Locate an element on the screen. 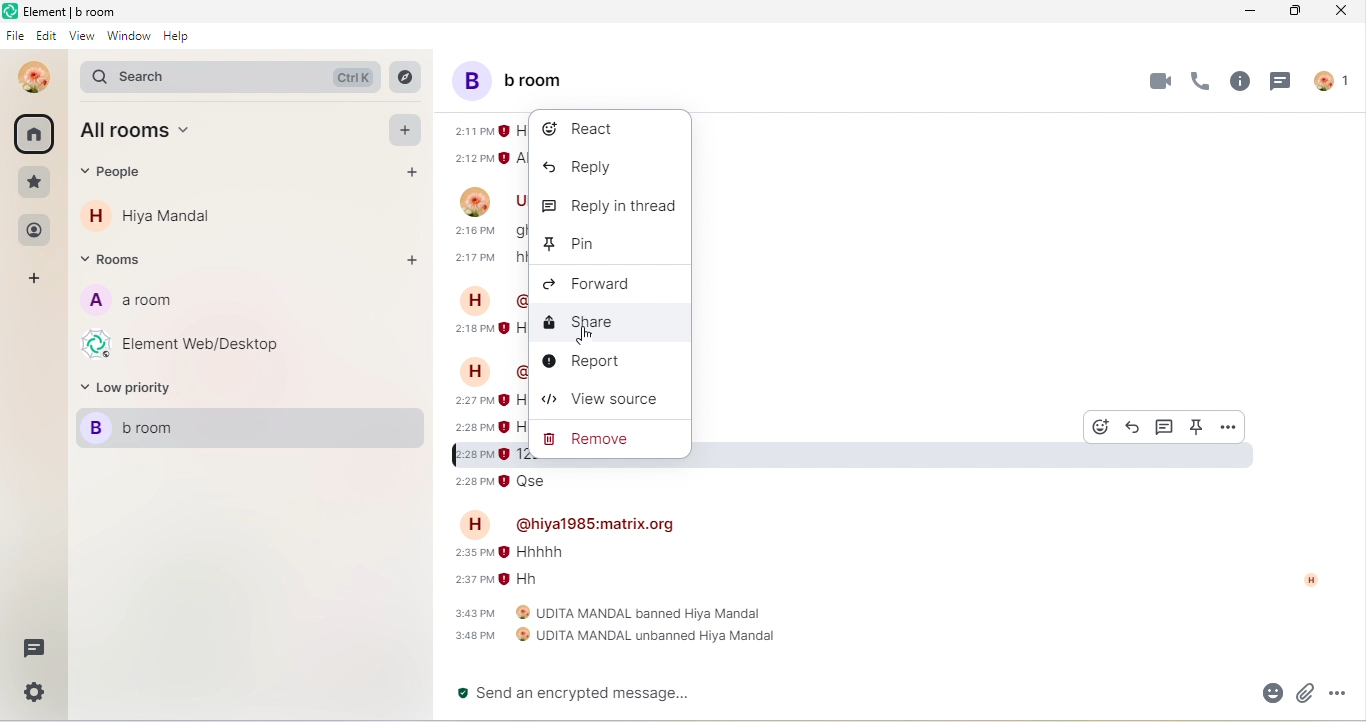 Image resolution: width=1366 pixels, height=722 pixels. view source is located at coordinates (609, 403).